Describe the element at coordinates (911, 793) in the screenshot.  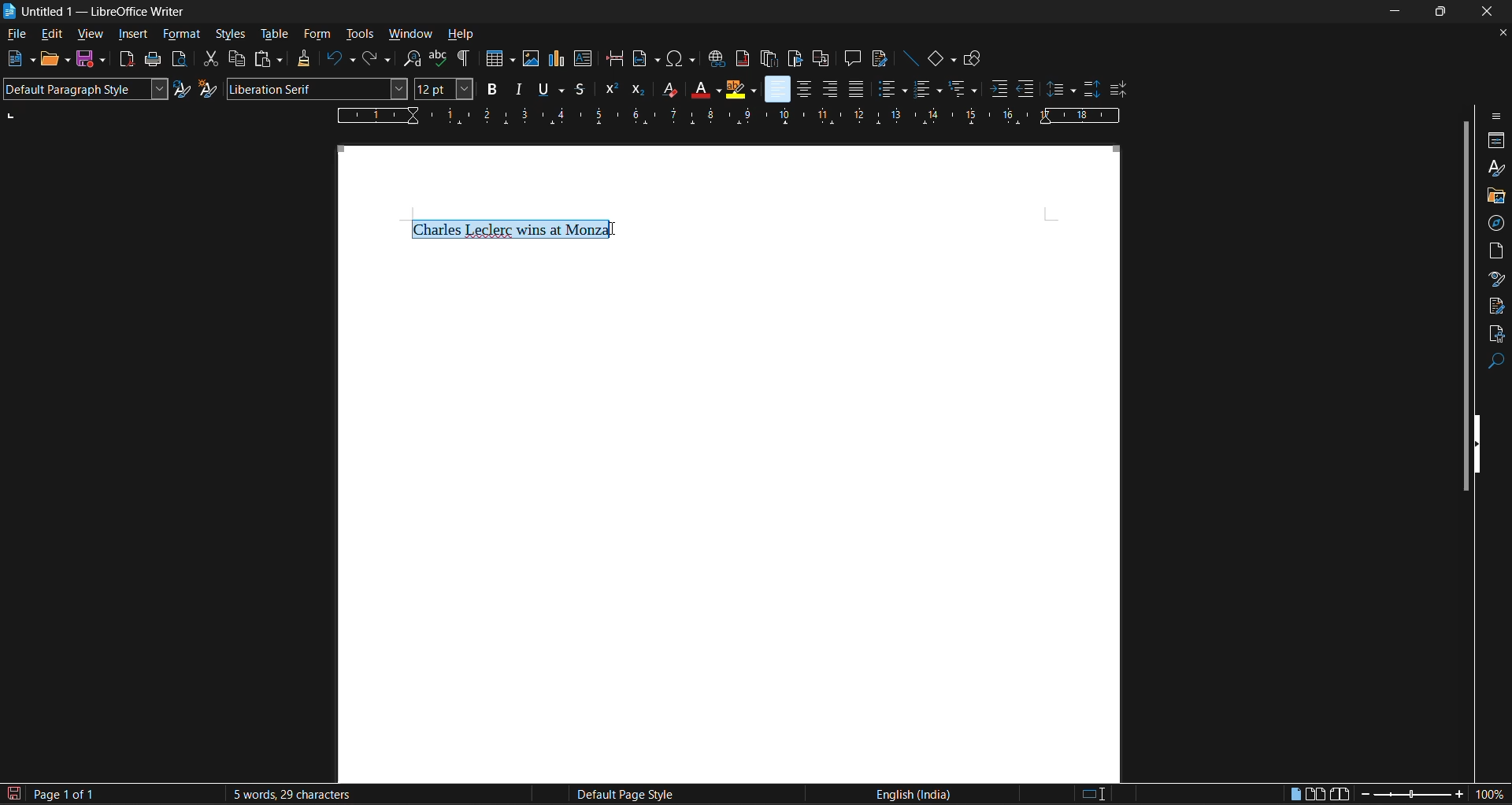
I see `text language` at that location.